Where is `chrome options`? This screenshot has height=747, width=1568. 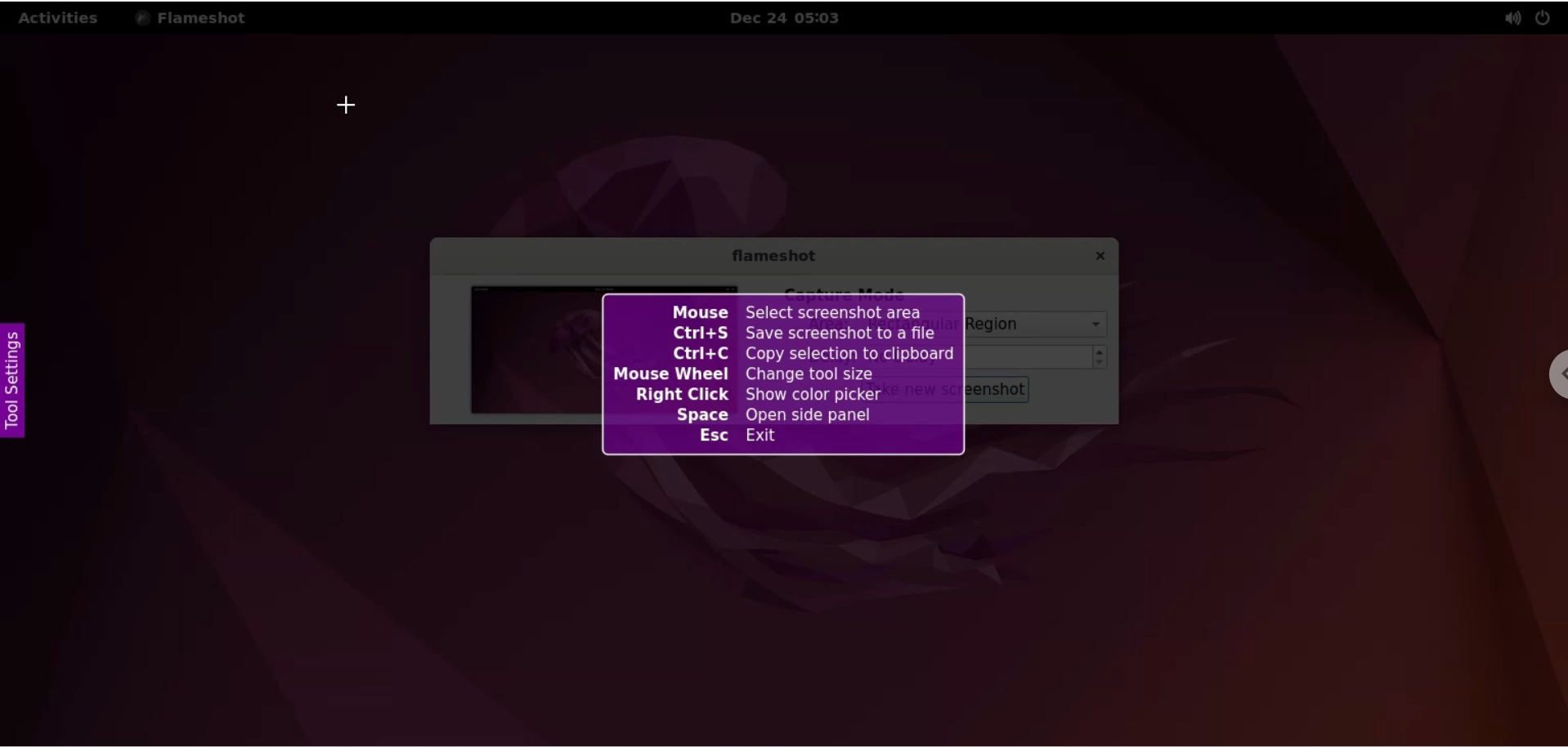 chrome options is located at coordinates (1557, 378).